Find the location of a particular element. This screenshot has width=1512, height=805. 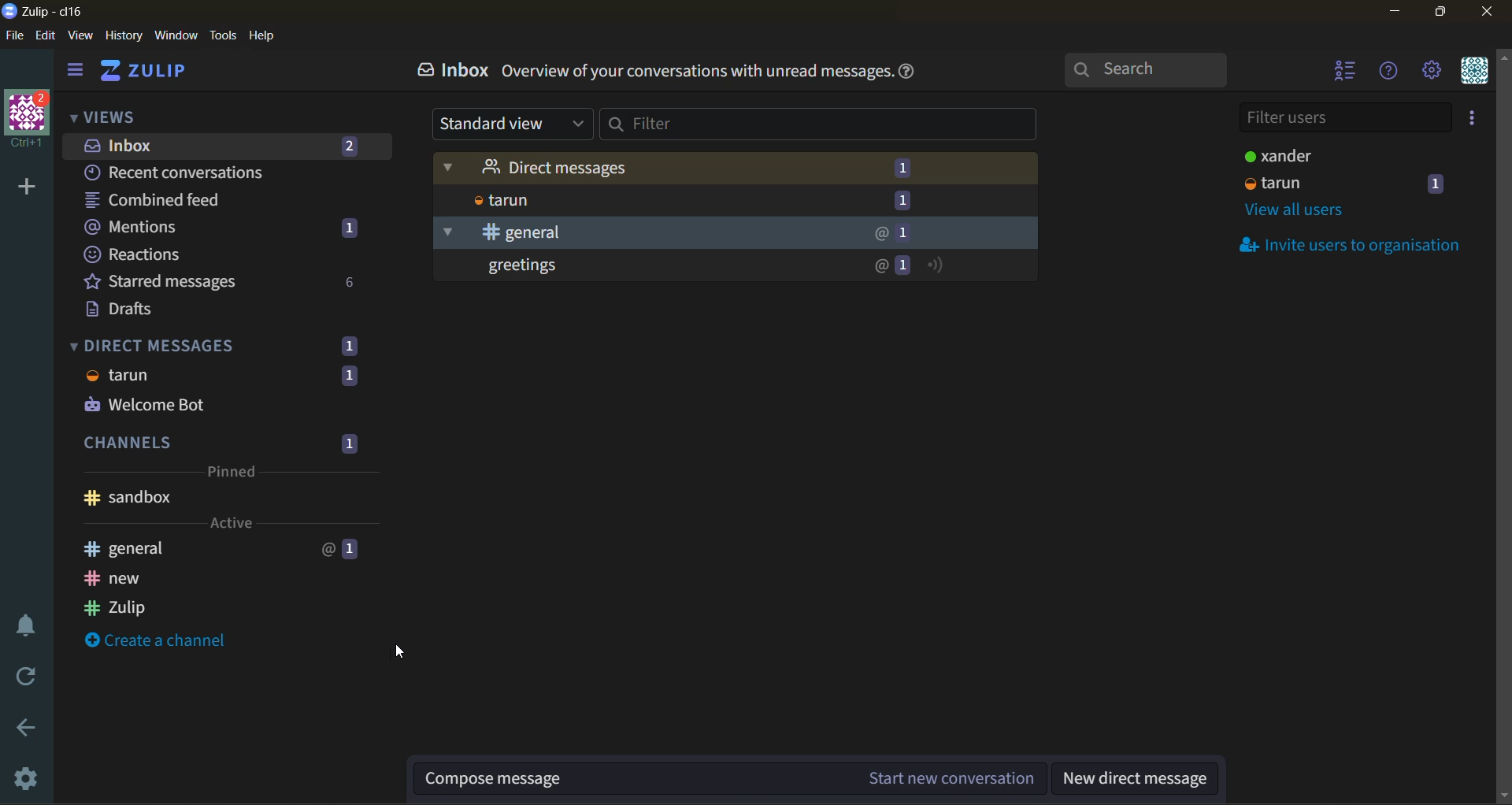

Pinned is located at coordinates (236, 472).